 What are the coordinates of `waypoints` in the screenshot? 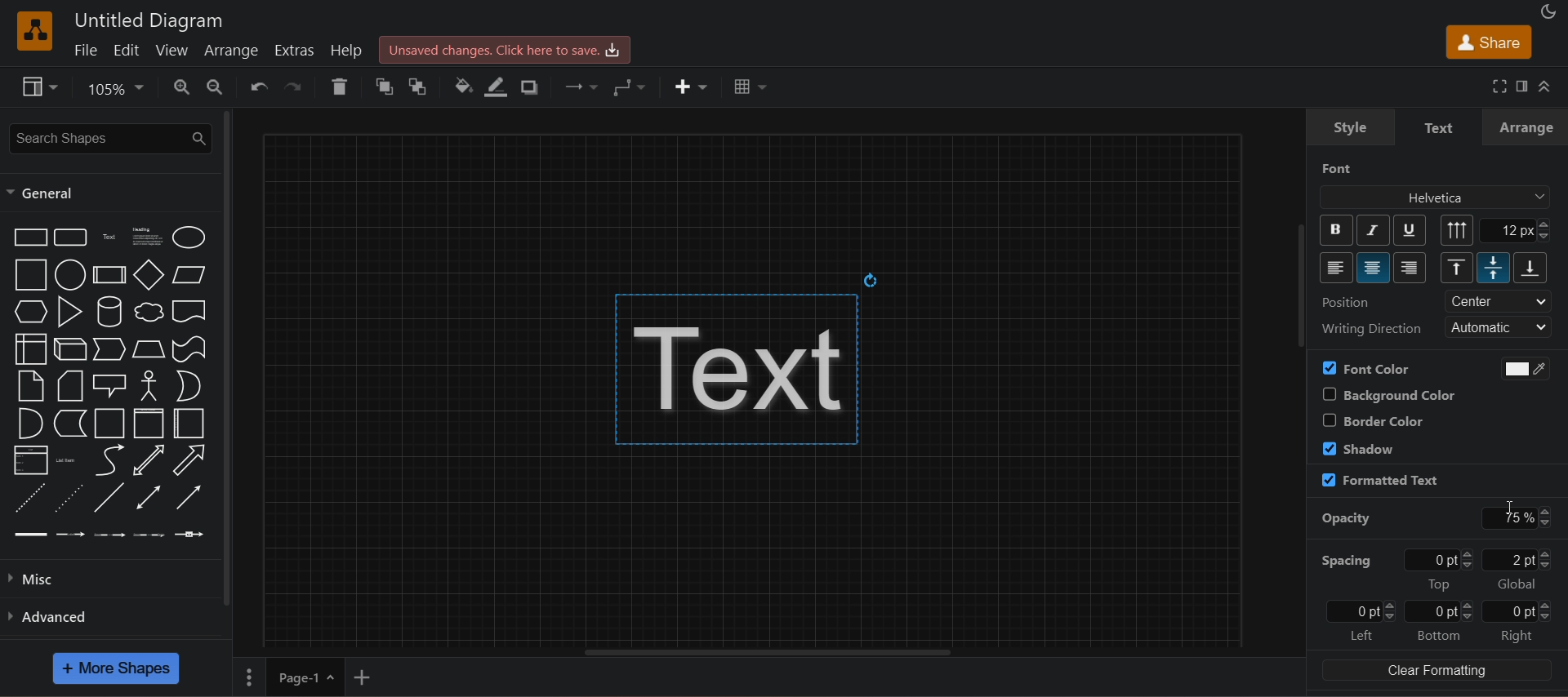 It's located at (632, 87).